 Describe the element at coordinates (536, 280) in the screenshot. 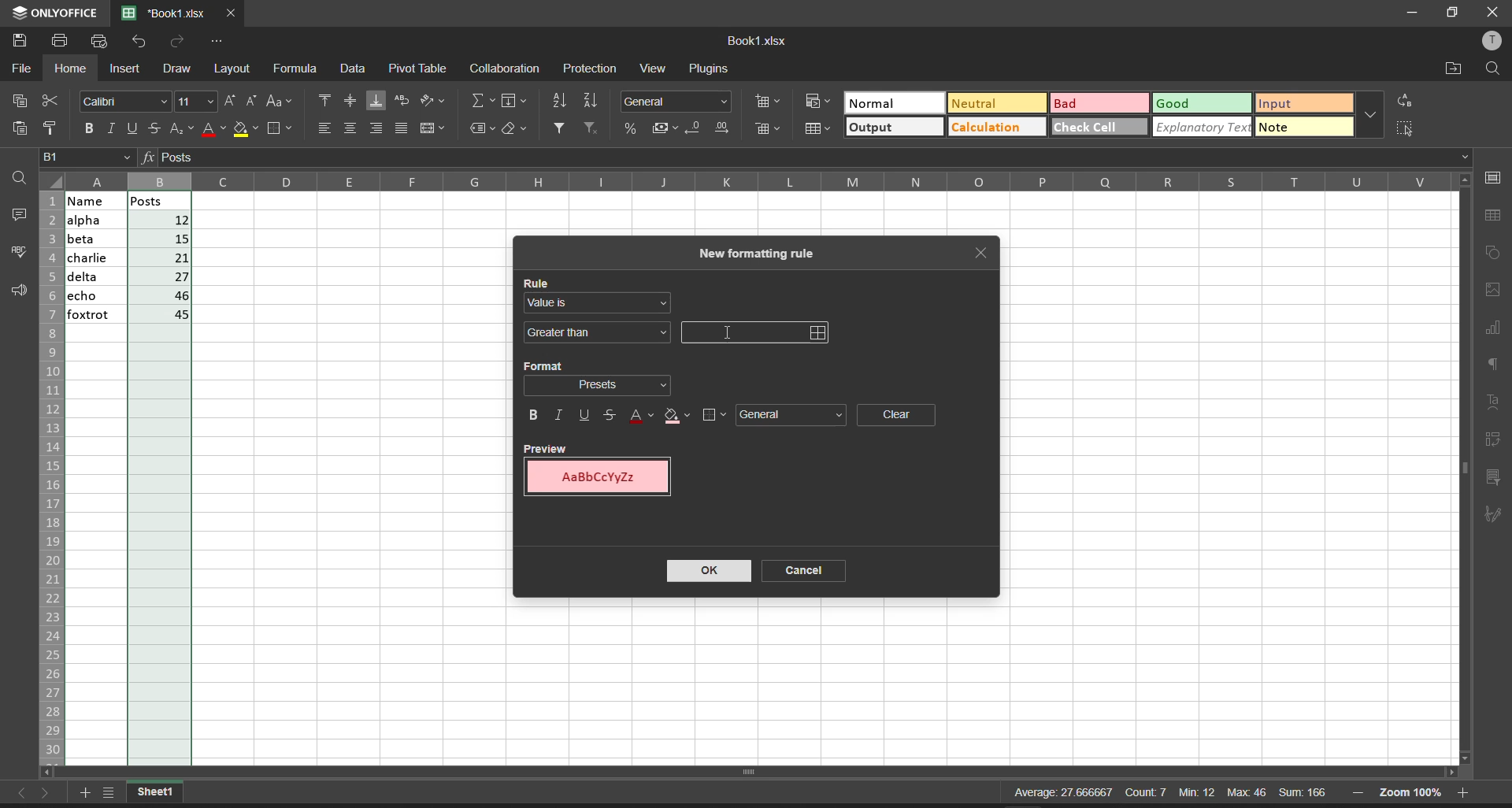

I see `rule` at that location.